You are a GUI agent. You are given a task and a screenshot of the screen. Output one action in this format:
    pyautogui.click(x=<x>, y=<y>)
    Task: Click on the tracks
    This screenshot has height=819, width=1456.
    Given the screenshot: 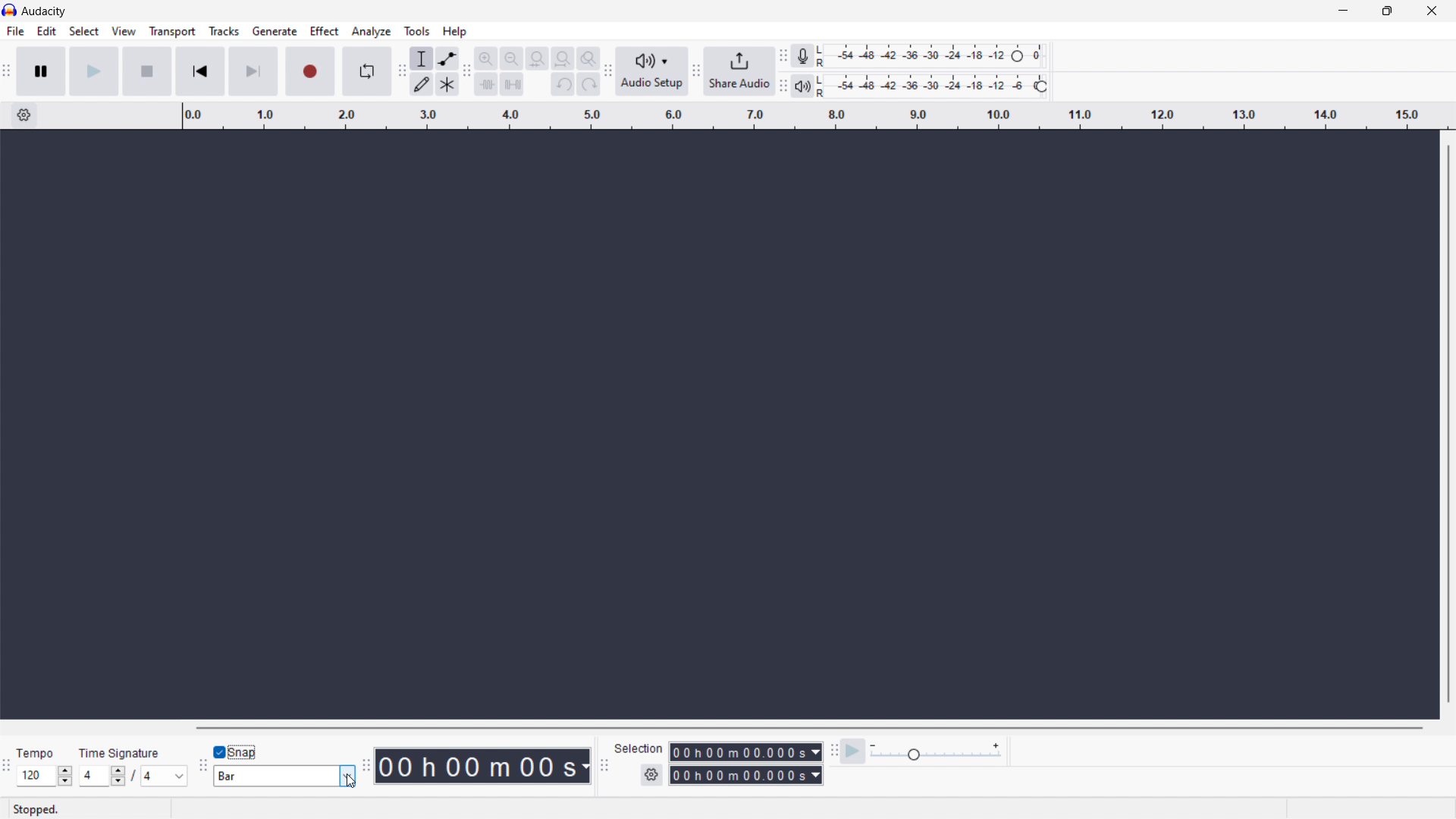 What is the action you would take?
    pyautogui.click(x=224, y=32)
    